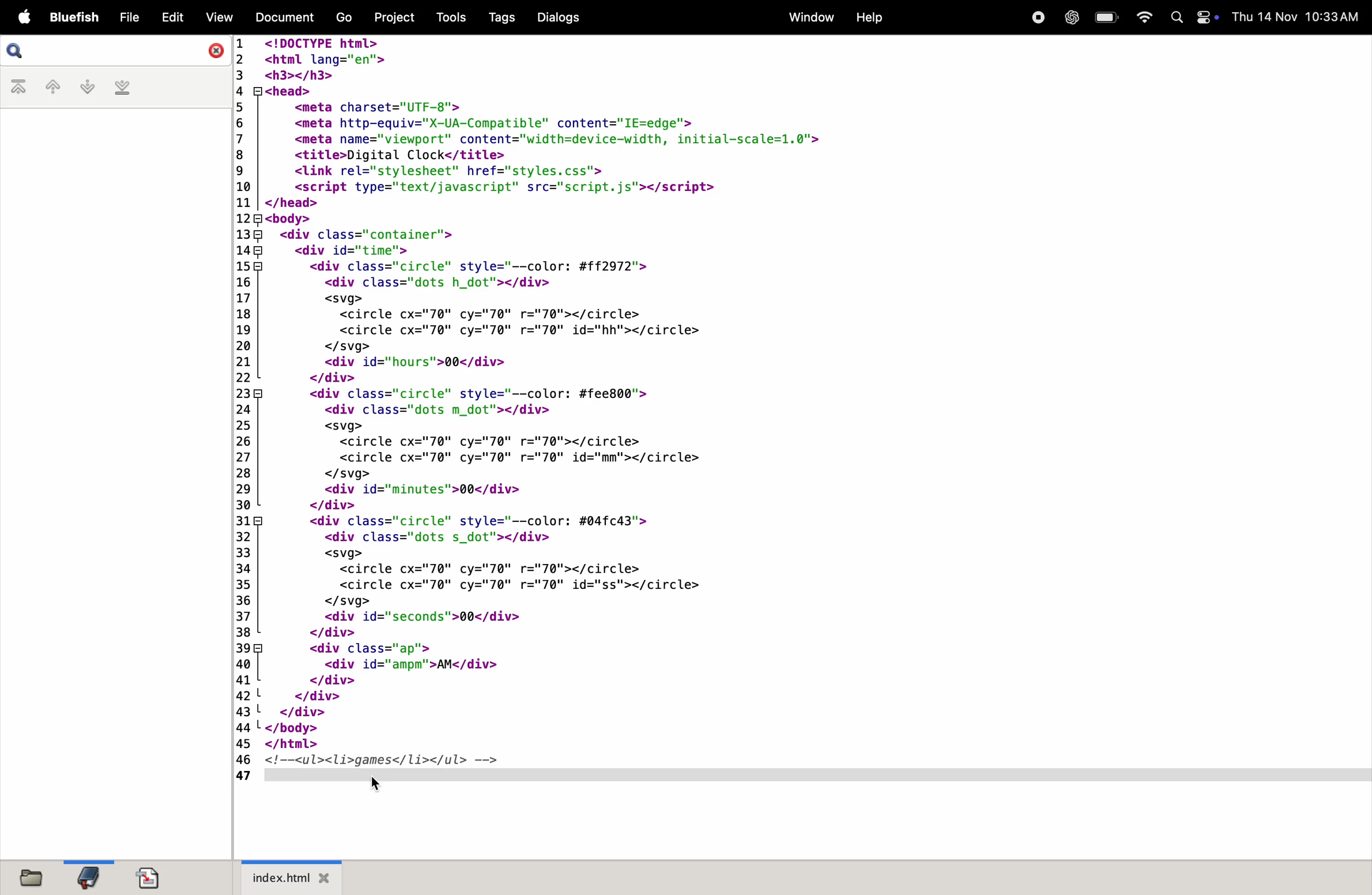 The width and height of the screenshot is (1372, 895). What do you see at coordinates (123, 89) in the screenshot?
I see `last bookmark` at bounding box center [123, 89].